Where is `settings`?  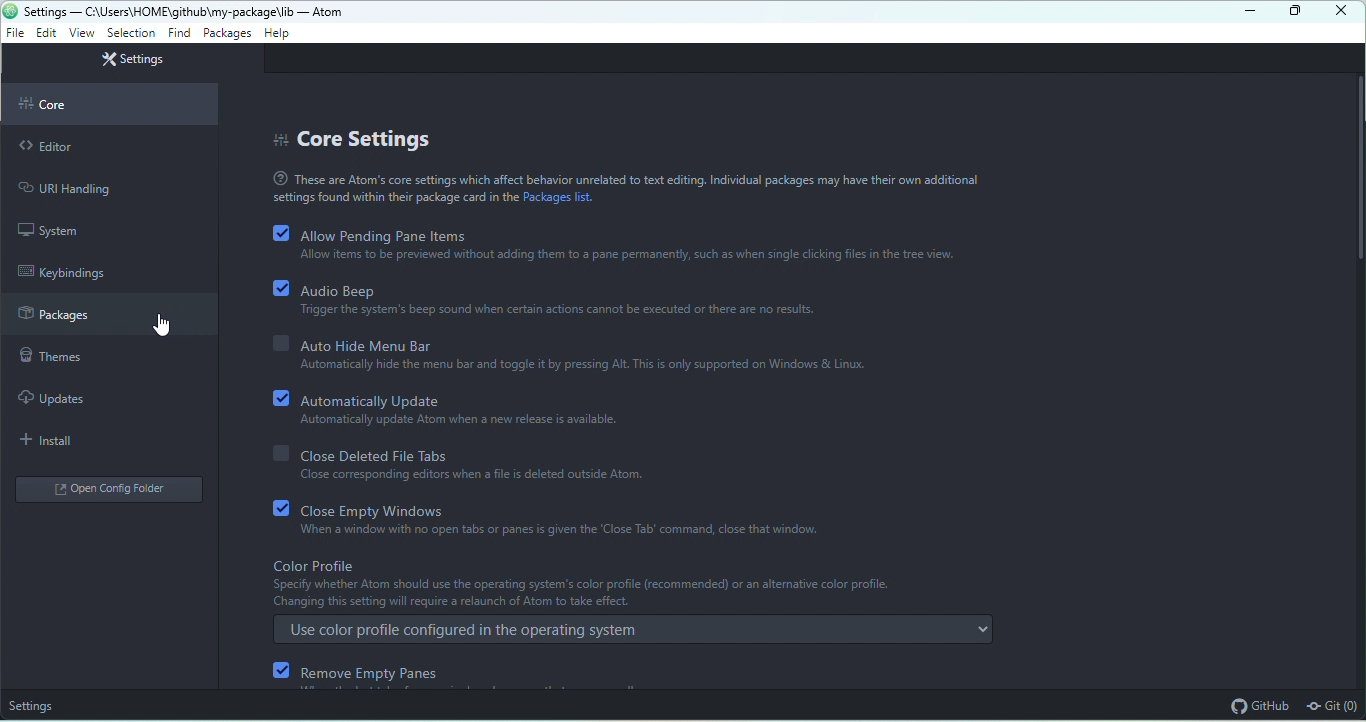 settings is located at coordinates (131, 61).